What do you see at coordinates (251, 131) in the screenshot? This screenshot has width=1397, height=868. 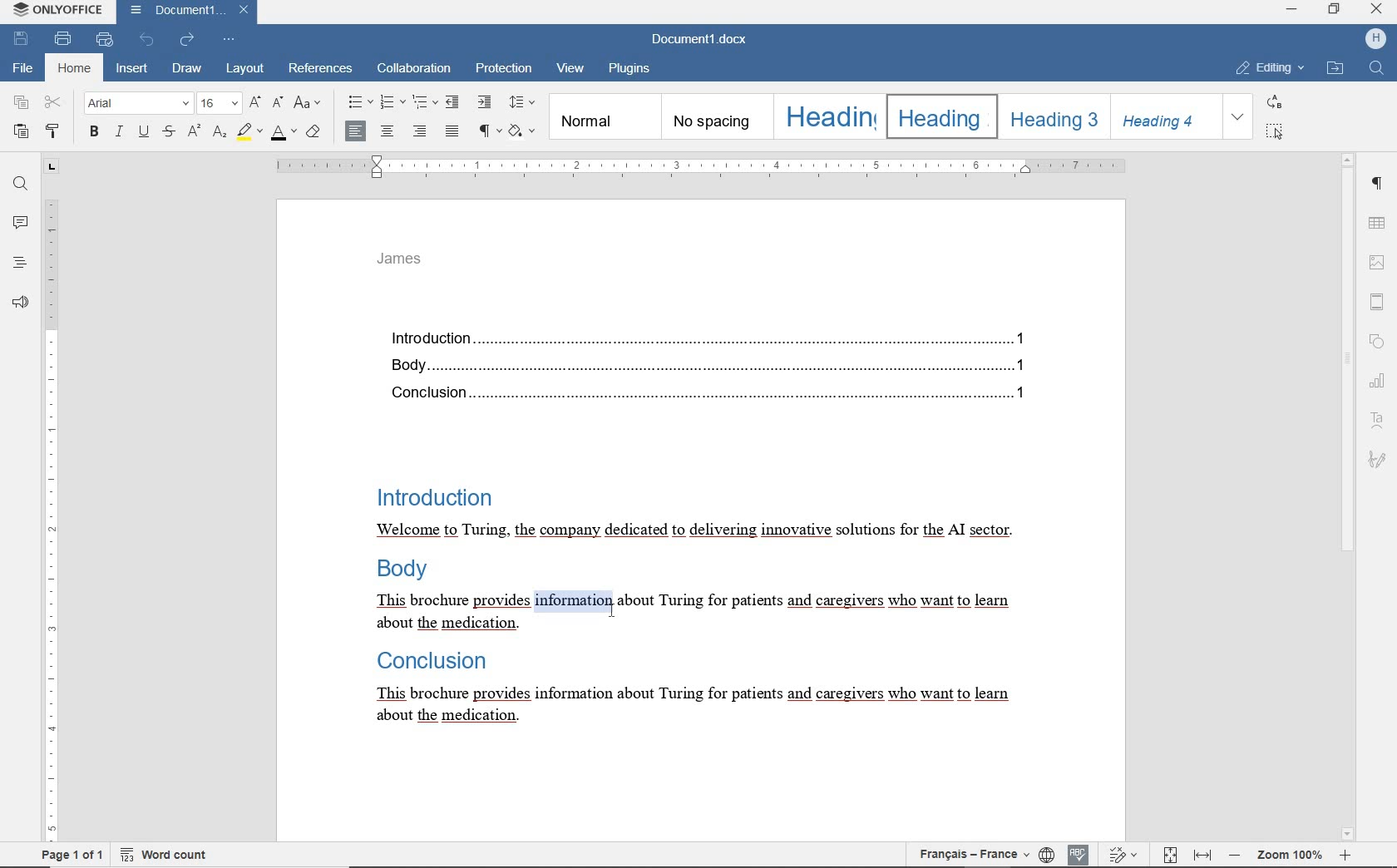 I see `HIGHLIGHT COLOR` at bounding box center [251, 131].